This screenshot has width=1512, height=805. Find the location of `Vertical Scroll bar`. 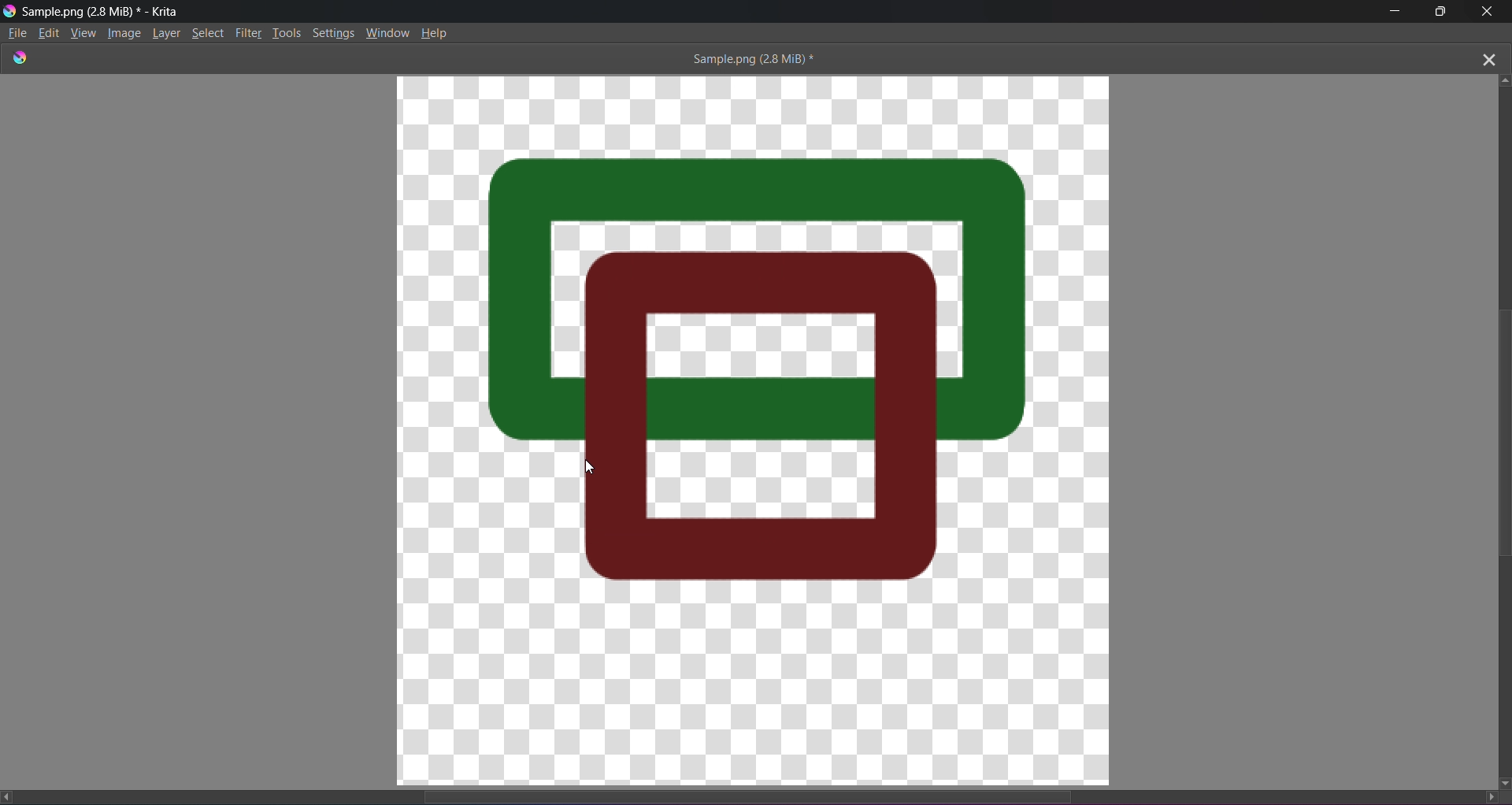

Vertical Scroll bar is located at coordinates (1494, 428).